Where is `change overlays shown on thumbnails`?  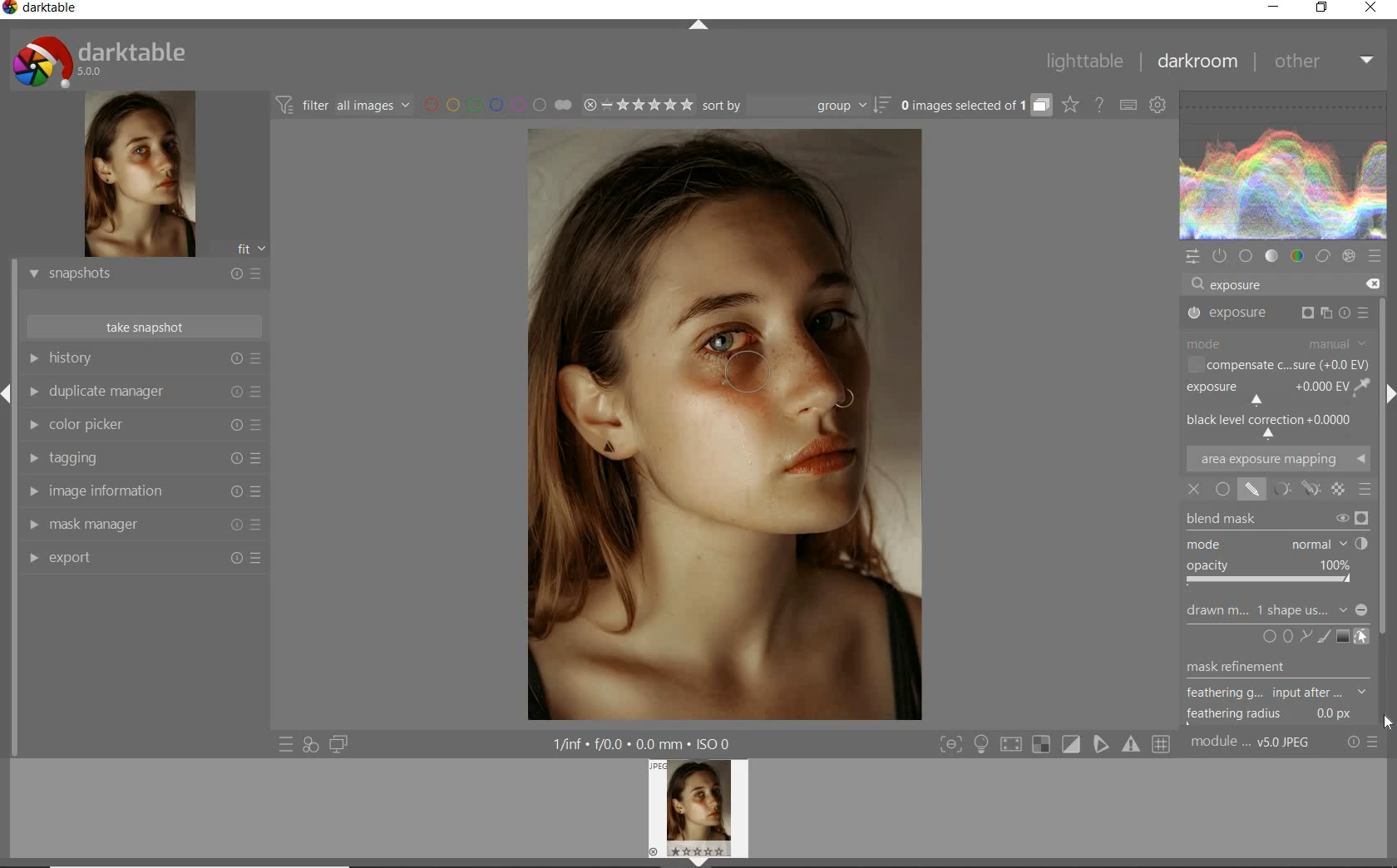 change overlays shown on thumbnails is located at coordinates (1069, 106).